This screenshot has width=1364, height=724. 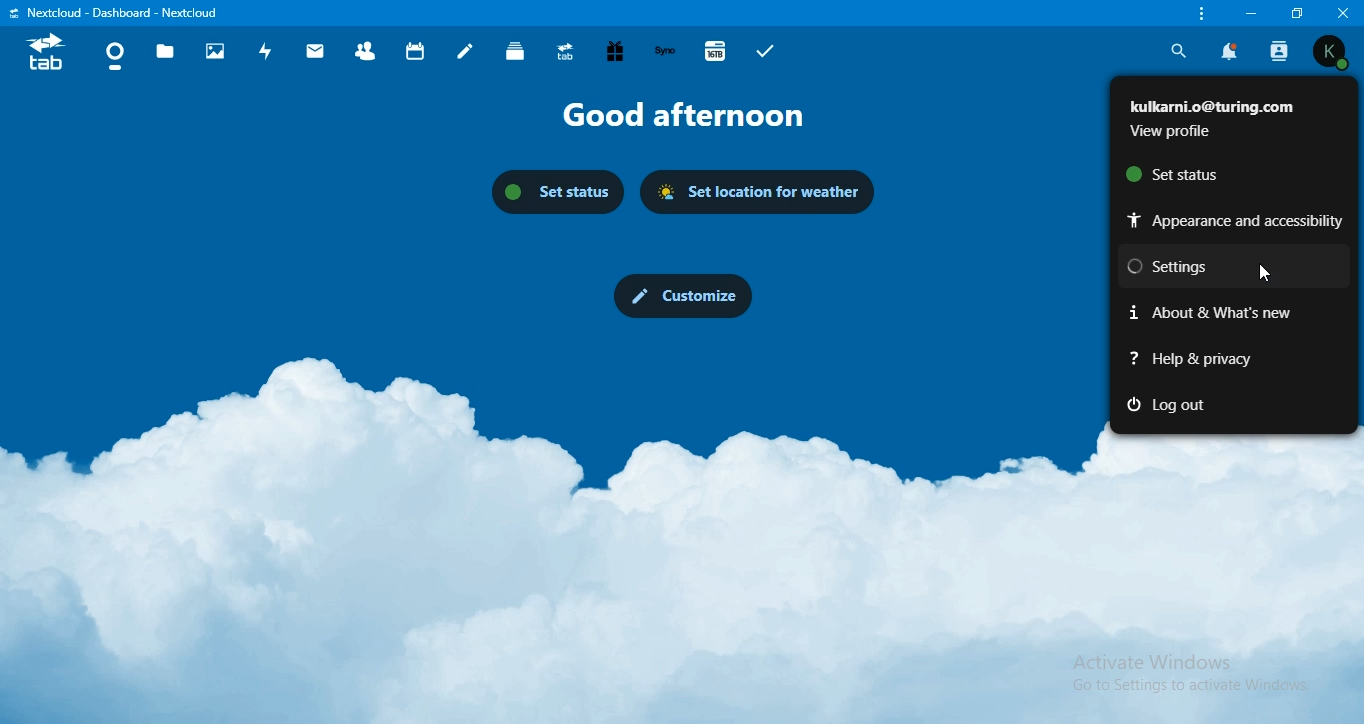 I want to click on tasks, so click(x=766, y=52).